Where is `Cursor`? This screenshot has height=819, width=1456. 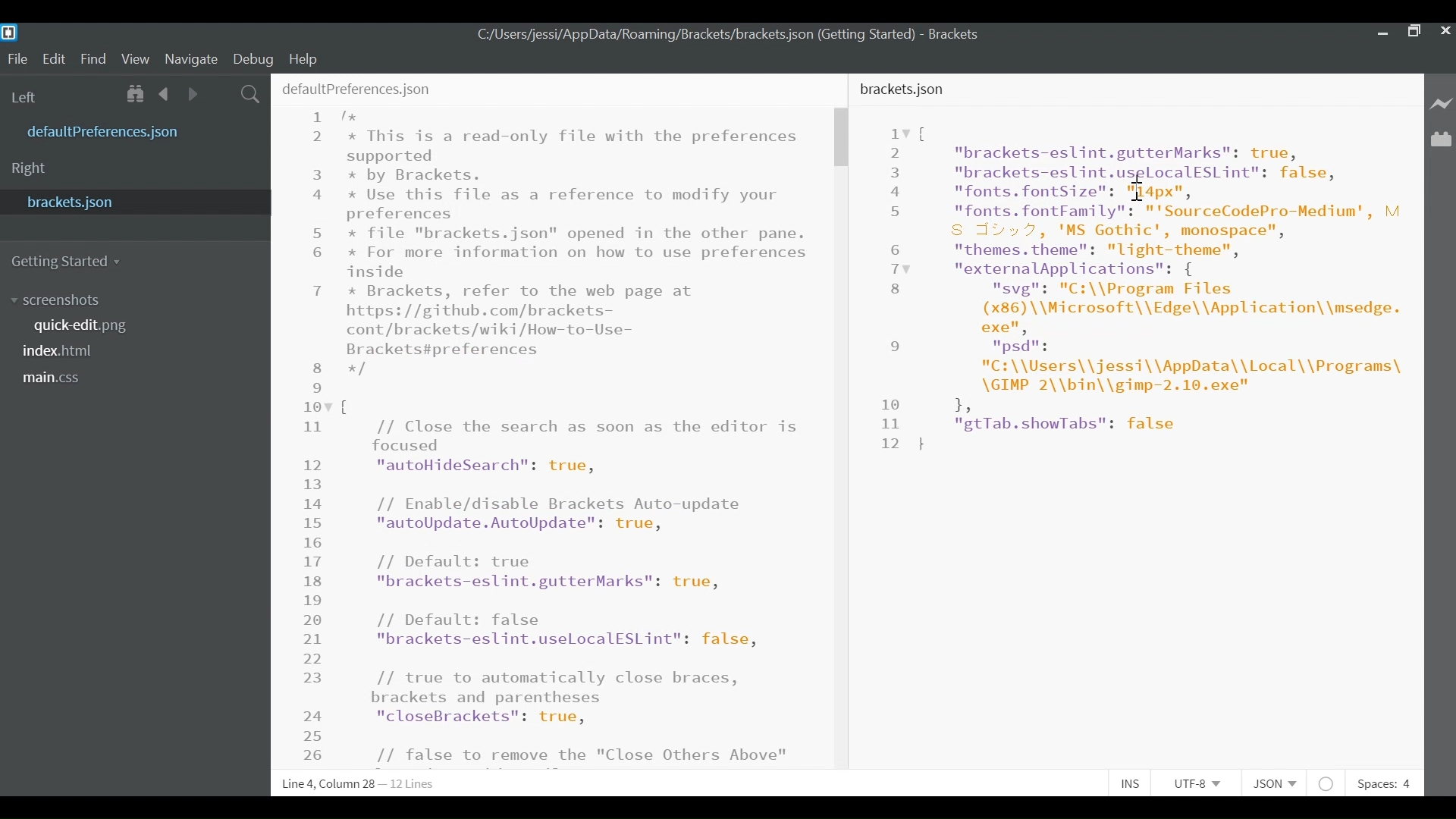 Cursor is located at coordinates (1141, 187).